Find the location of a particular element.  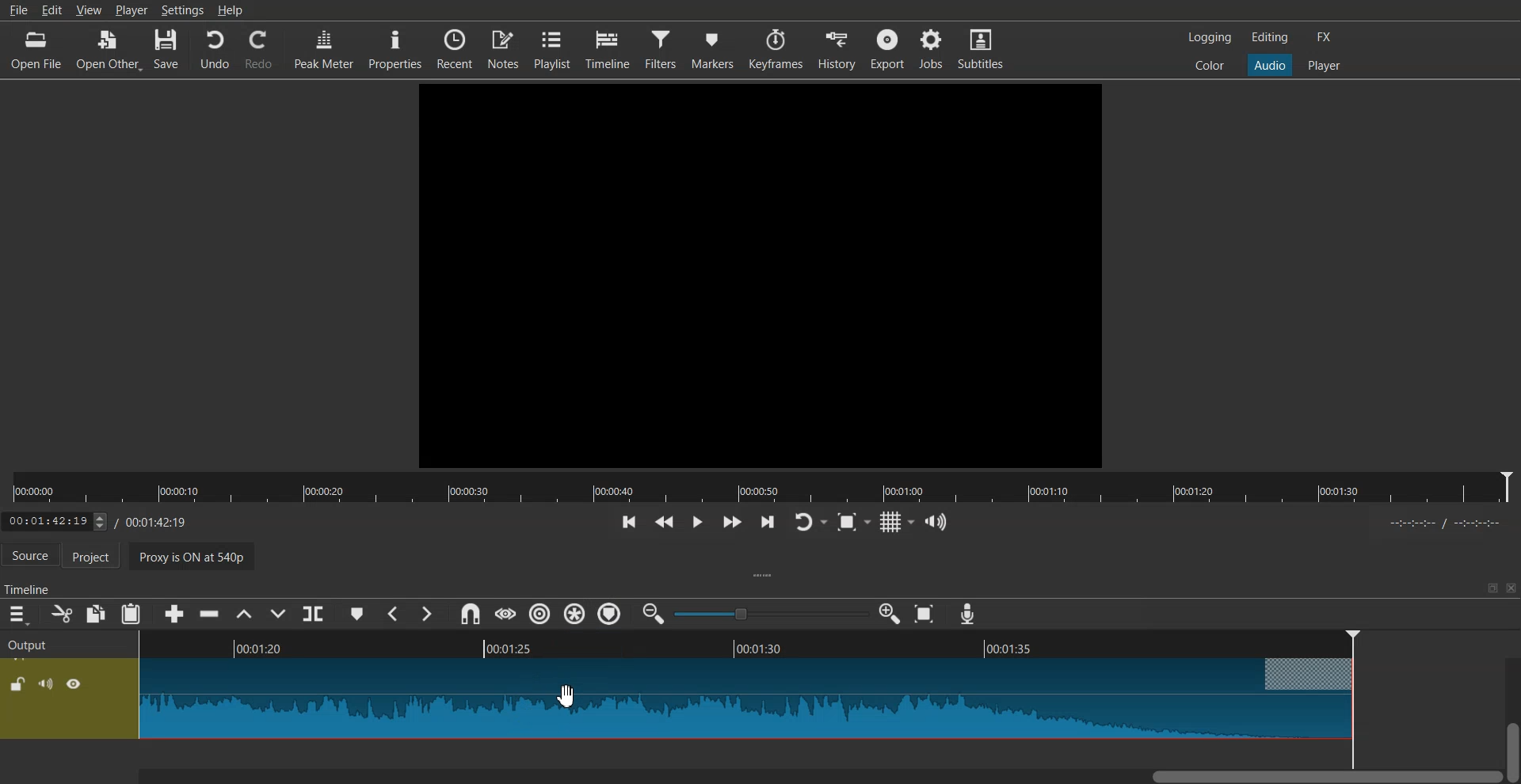

Timeline is located at coordinates (29, 585).